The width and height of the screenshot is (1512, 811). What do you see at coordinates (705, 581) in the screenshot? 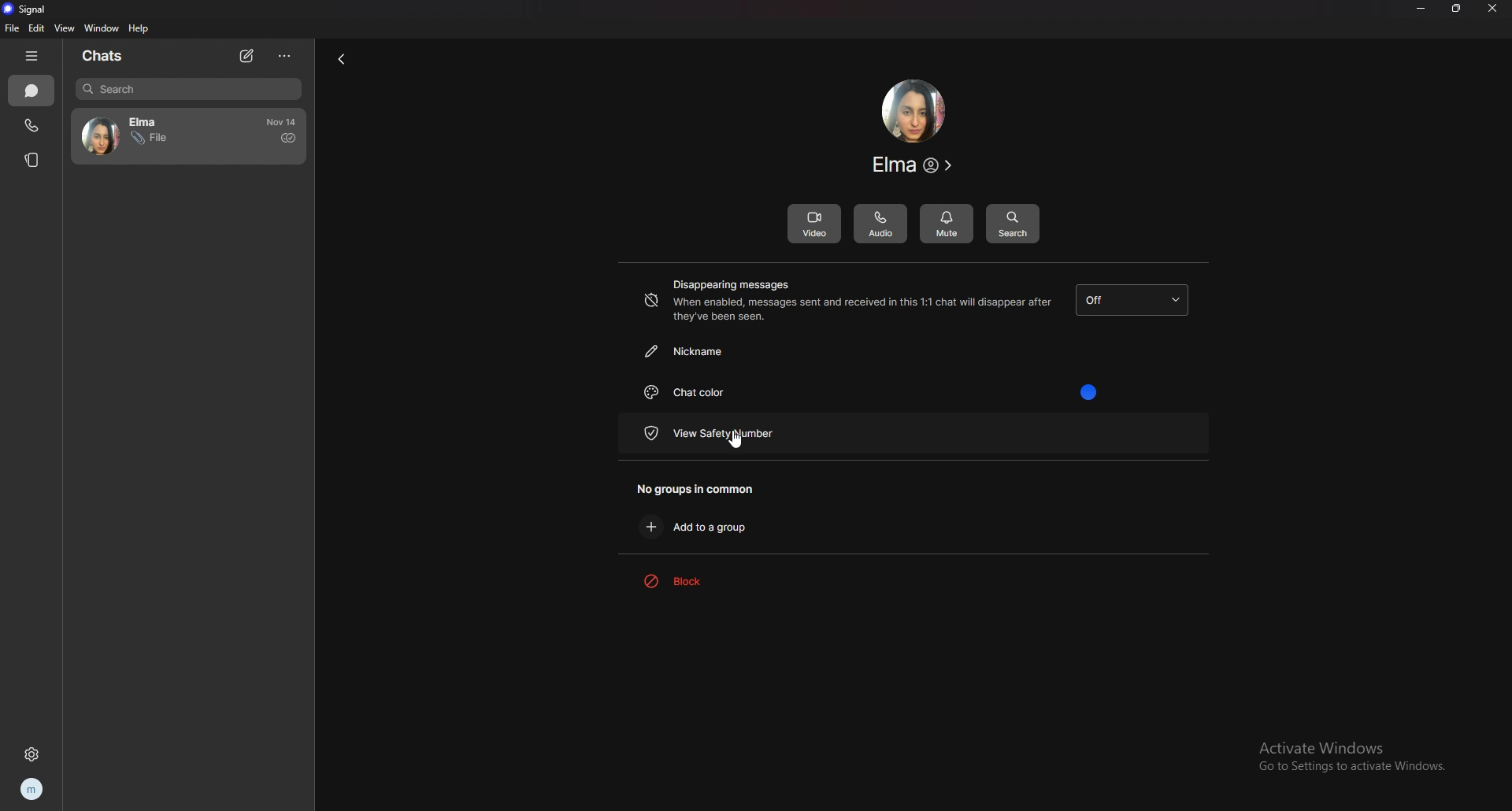
I see `block` at bounding box center [705, 581].